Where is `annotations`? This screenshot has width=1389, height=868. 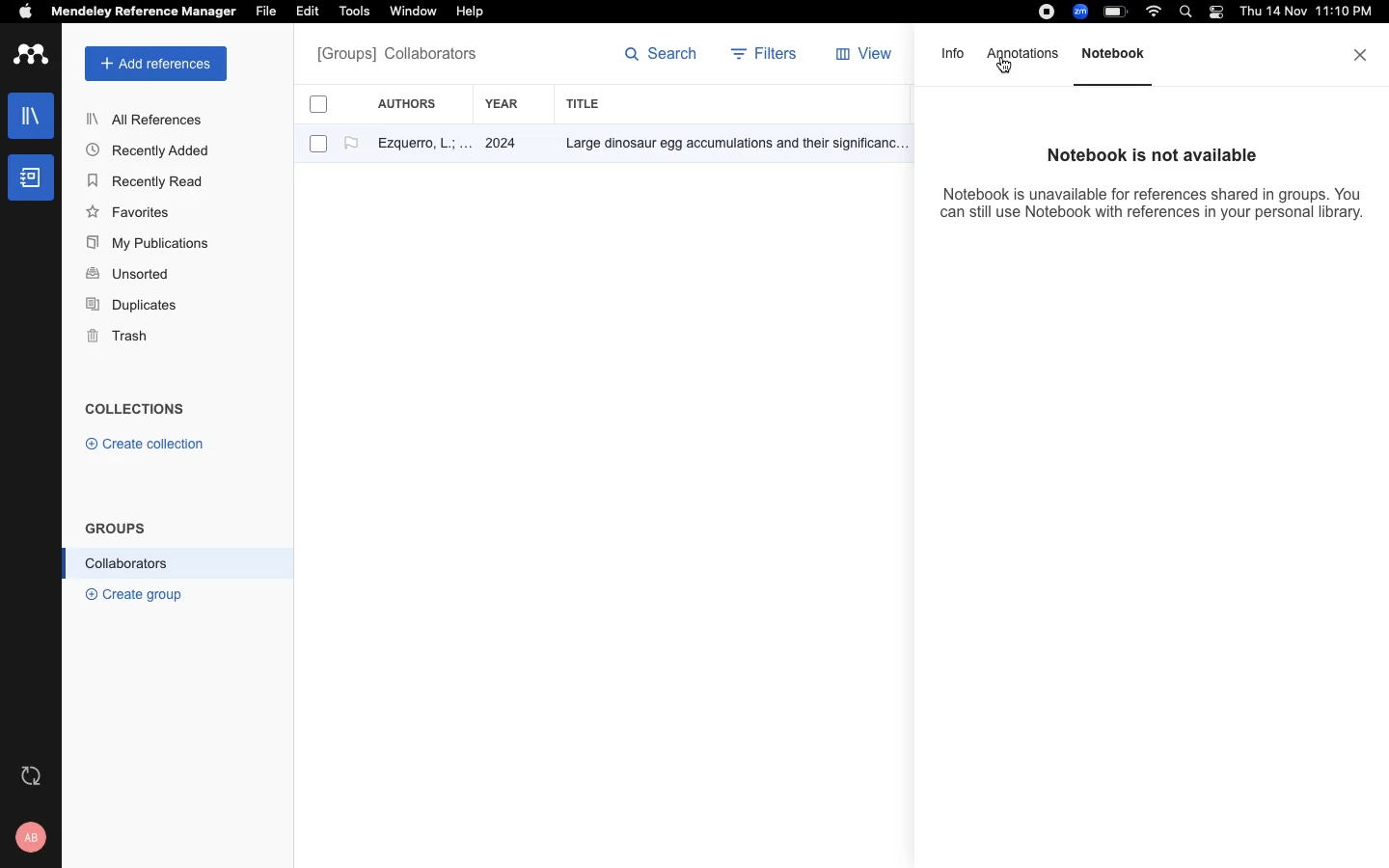
annotations is located at coordinates (1024, 54).